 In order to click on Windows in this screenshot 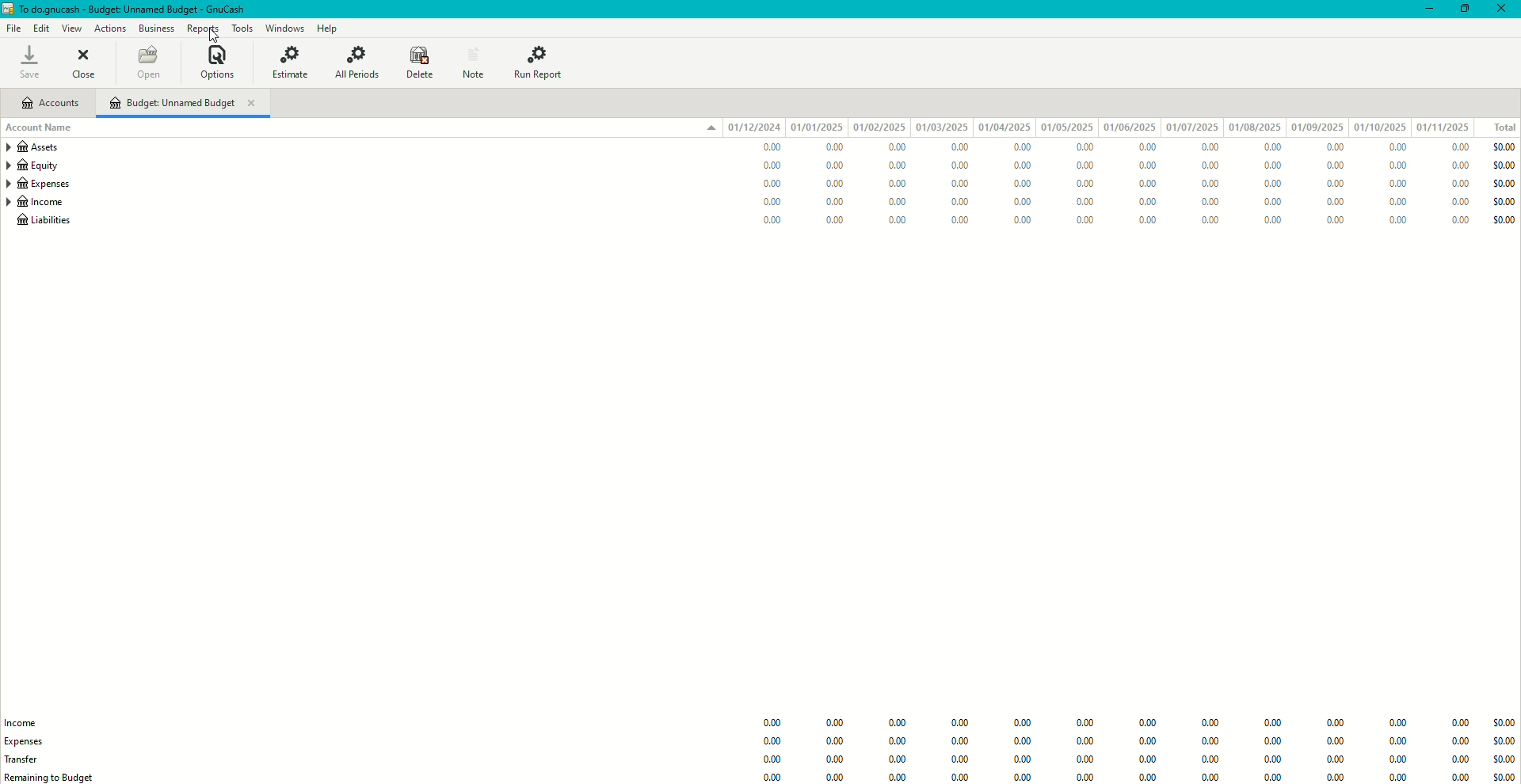, I will do `click(287, 28)`.